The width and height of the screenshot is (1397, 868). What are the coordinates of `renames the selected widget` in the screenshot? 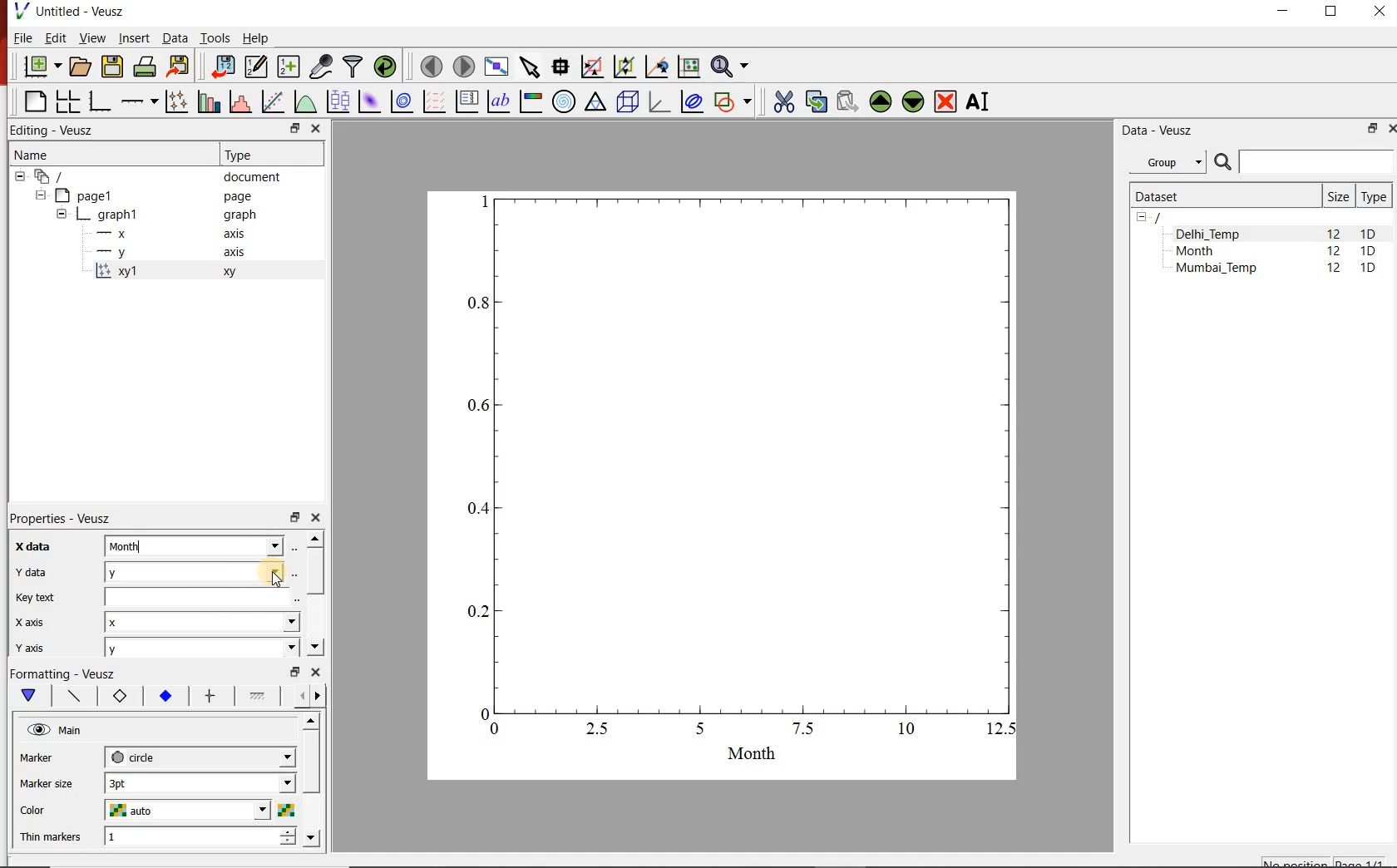 It's located at (979, 102).